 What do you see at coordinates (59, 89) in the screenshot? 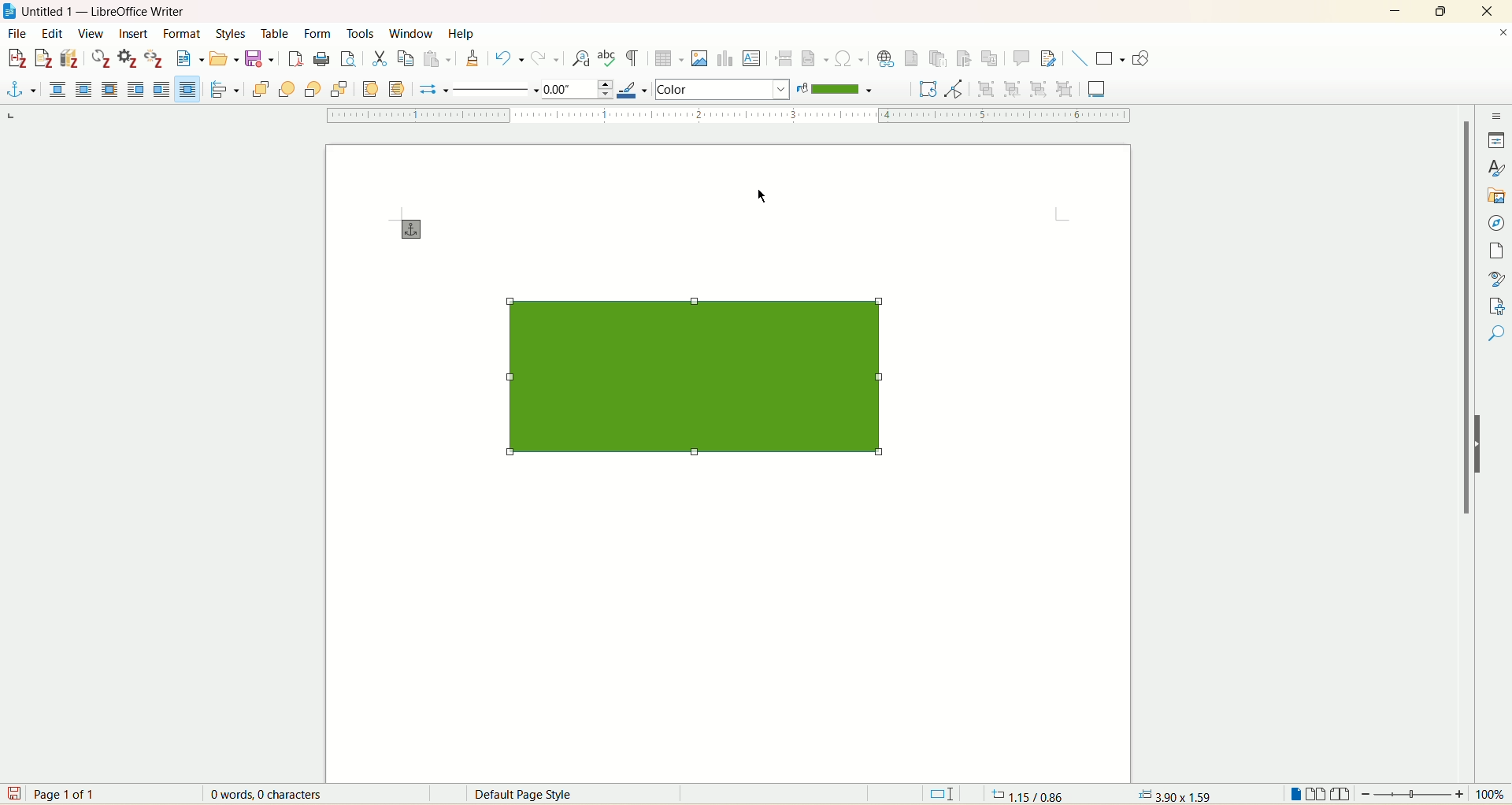
I see `none` at bounding box center [59, 89].